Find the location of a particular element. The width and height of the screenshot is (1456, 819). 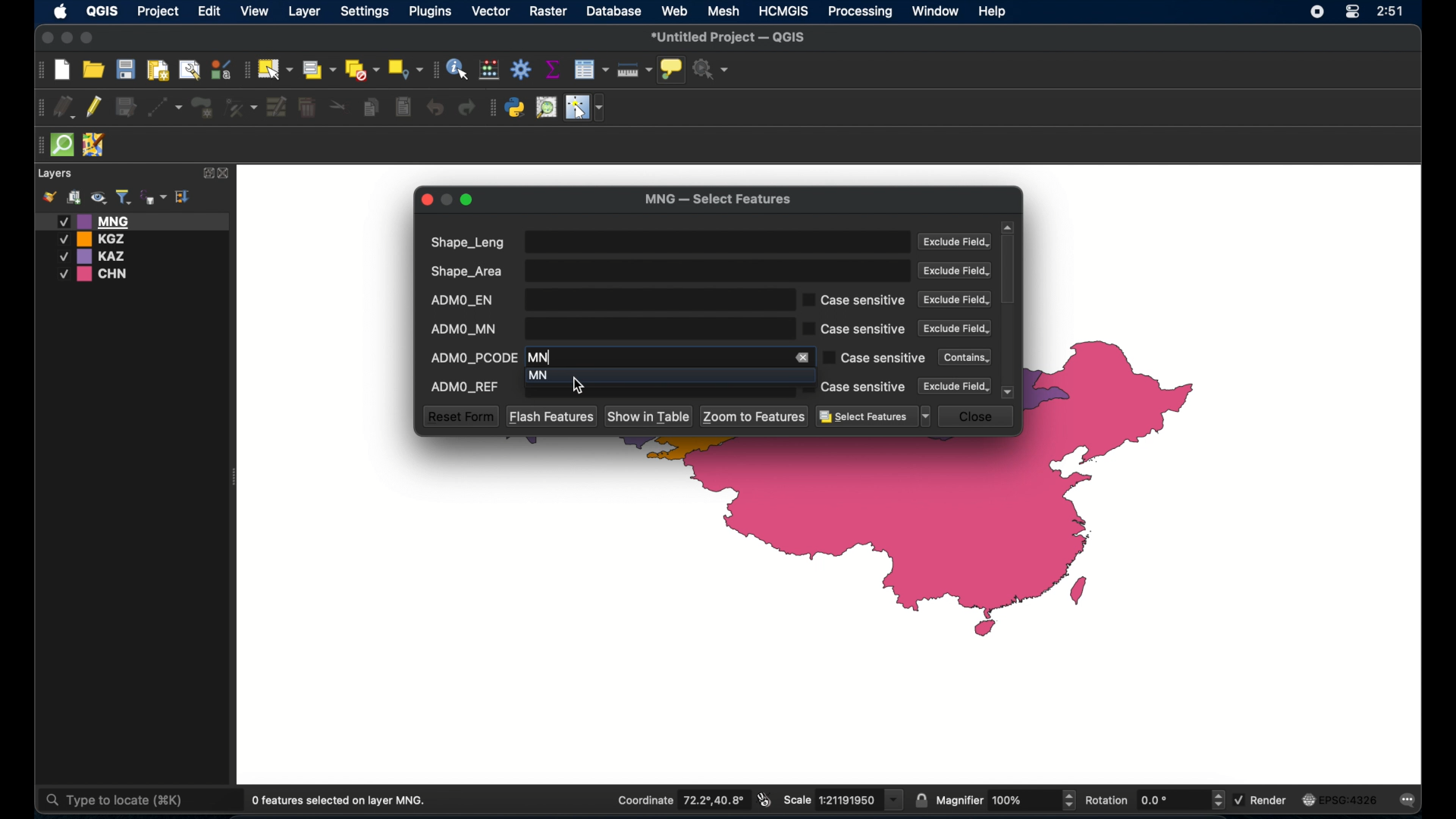

redo is located at coordinates (469, 108).